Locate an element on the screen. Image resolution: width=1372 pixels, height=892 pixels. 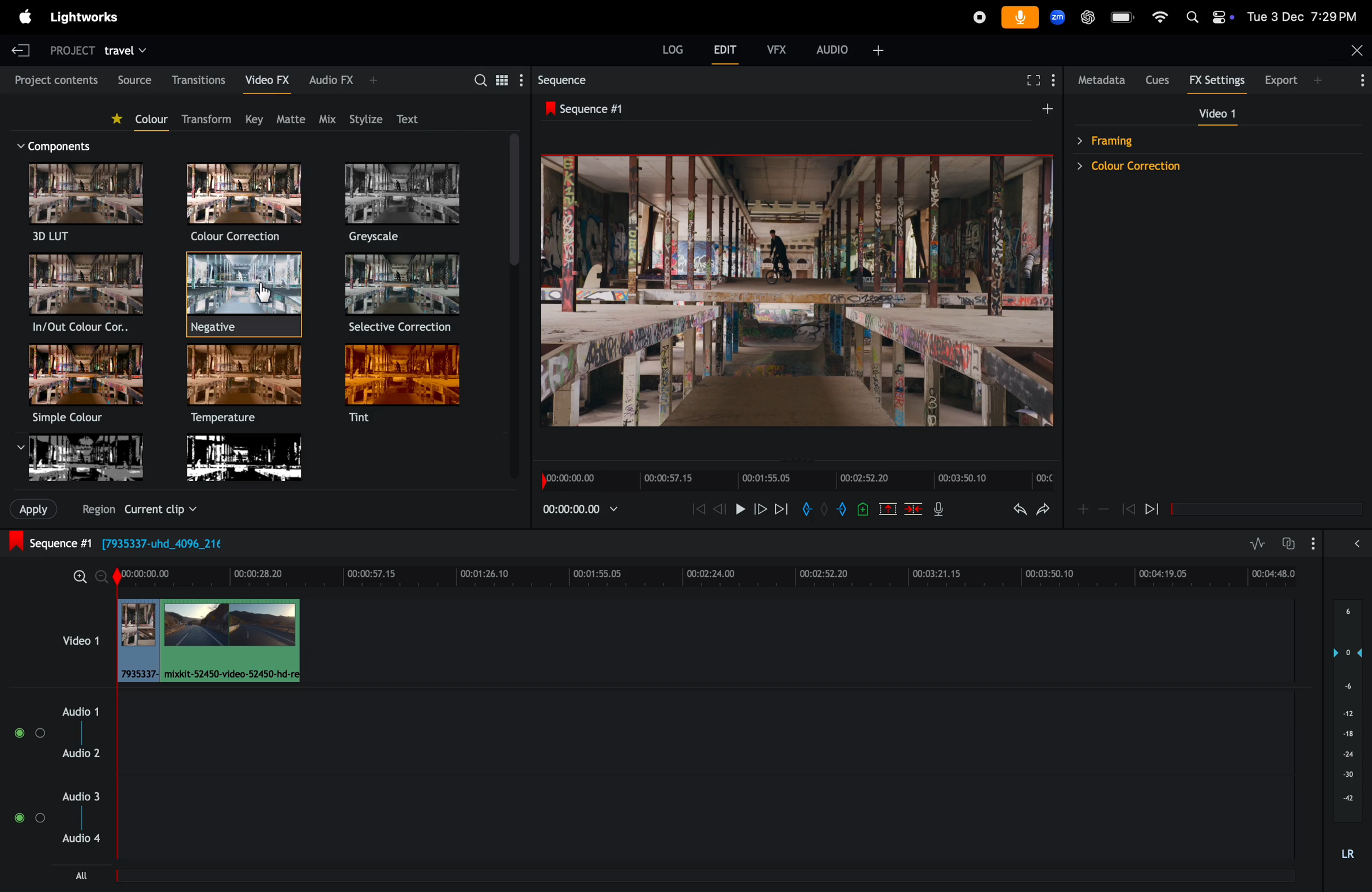
color correction is located at coordinates (1183, 169).